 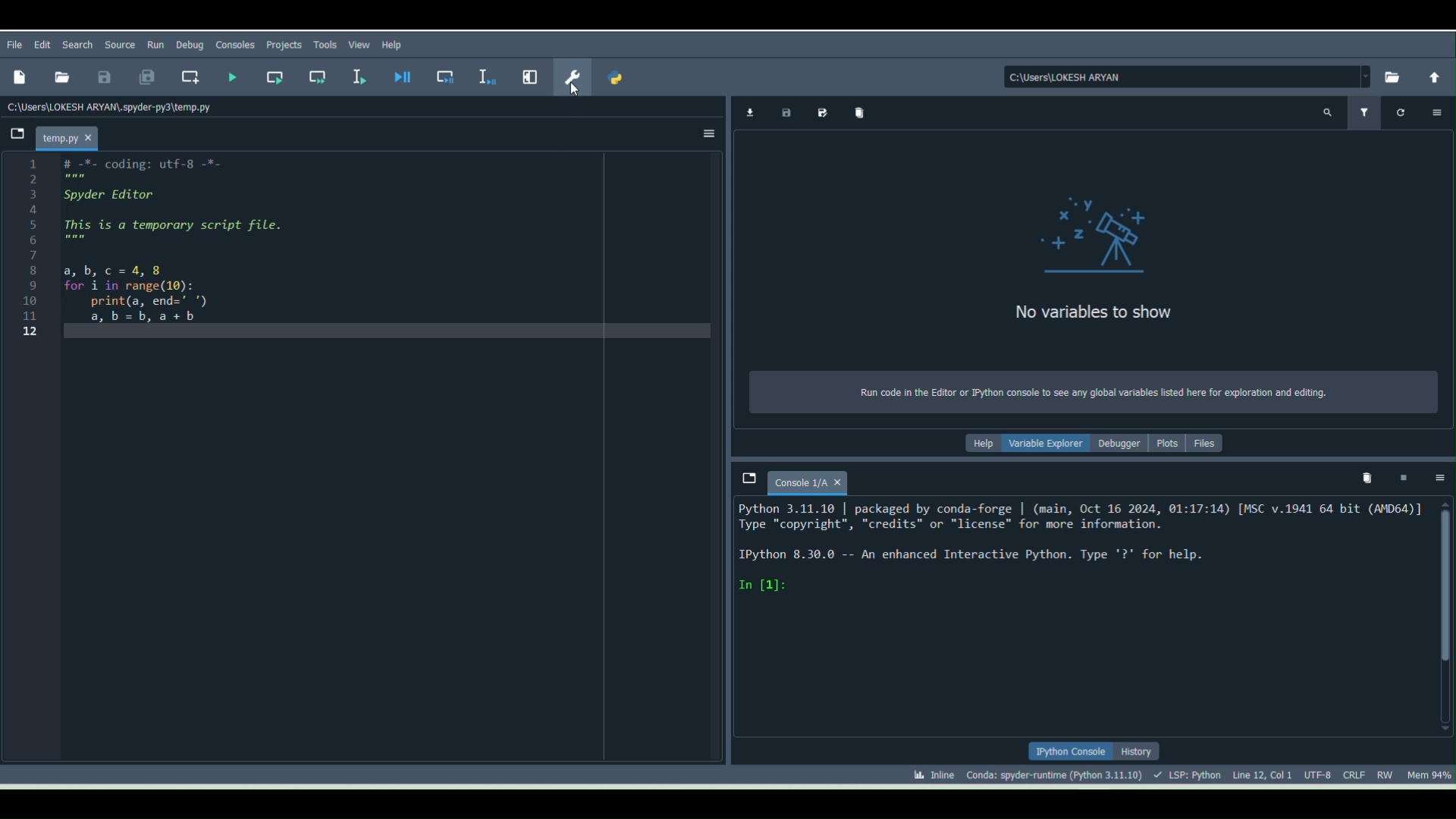 What do you see at coordinates (1139, 752) in the screenshot?
I see `History` at bounding box center [1139, 752].